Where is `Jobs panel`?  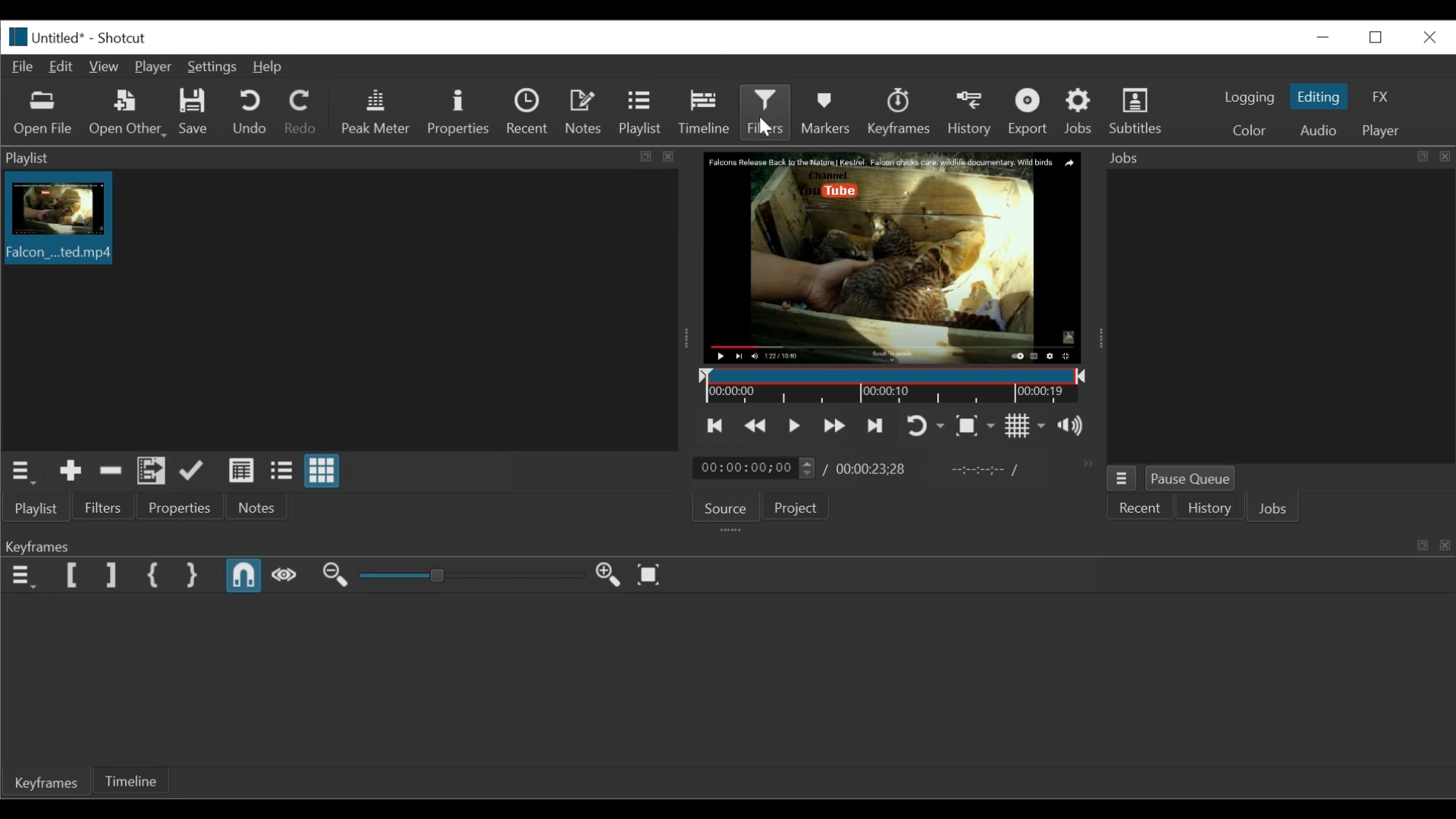 Jobs panel is located at coordinates (1280, 317).